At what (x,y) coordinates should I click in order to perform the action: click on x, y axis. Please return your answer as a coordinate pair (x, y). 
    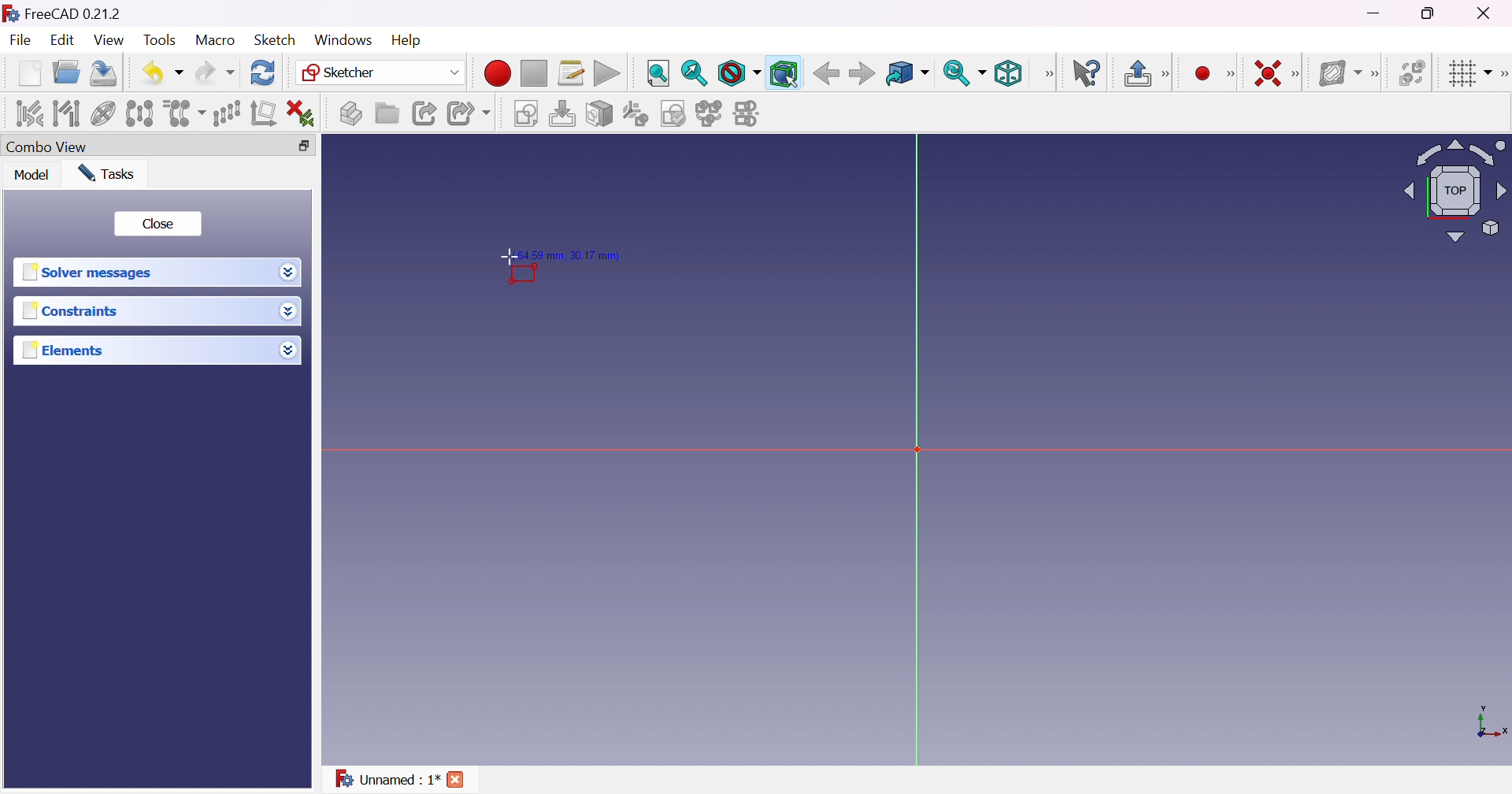
    Looking at the image, I should click on (1489, 723).